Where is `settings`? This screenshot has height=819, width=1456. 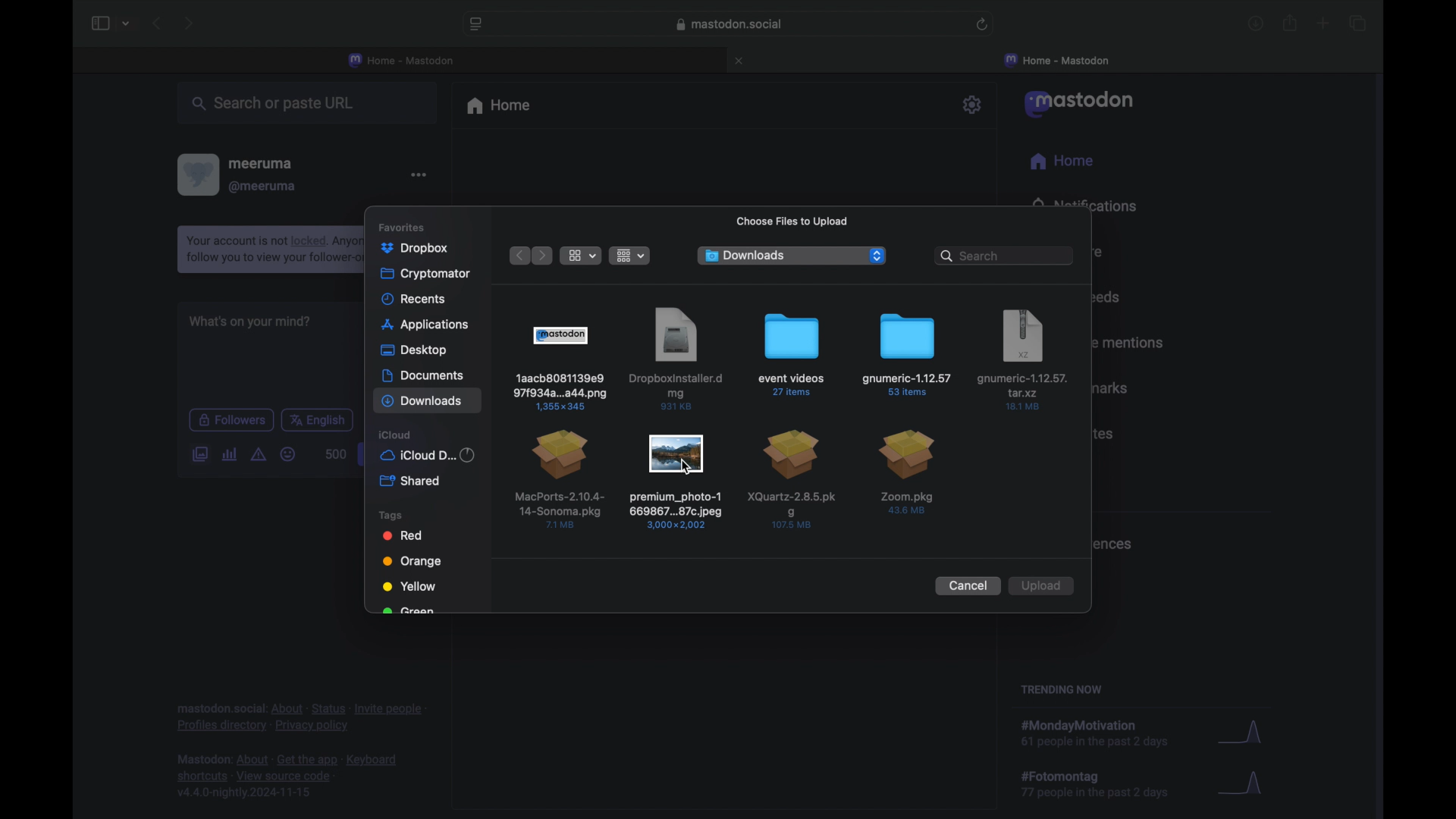
settings is located at coordinates (974, 105).